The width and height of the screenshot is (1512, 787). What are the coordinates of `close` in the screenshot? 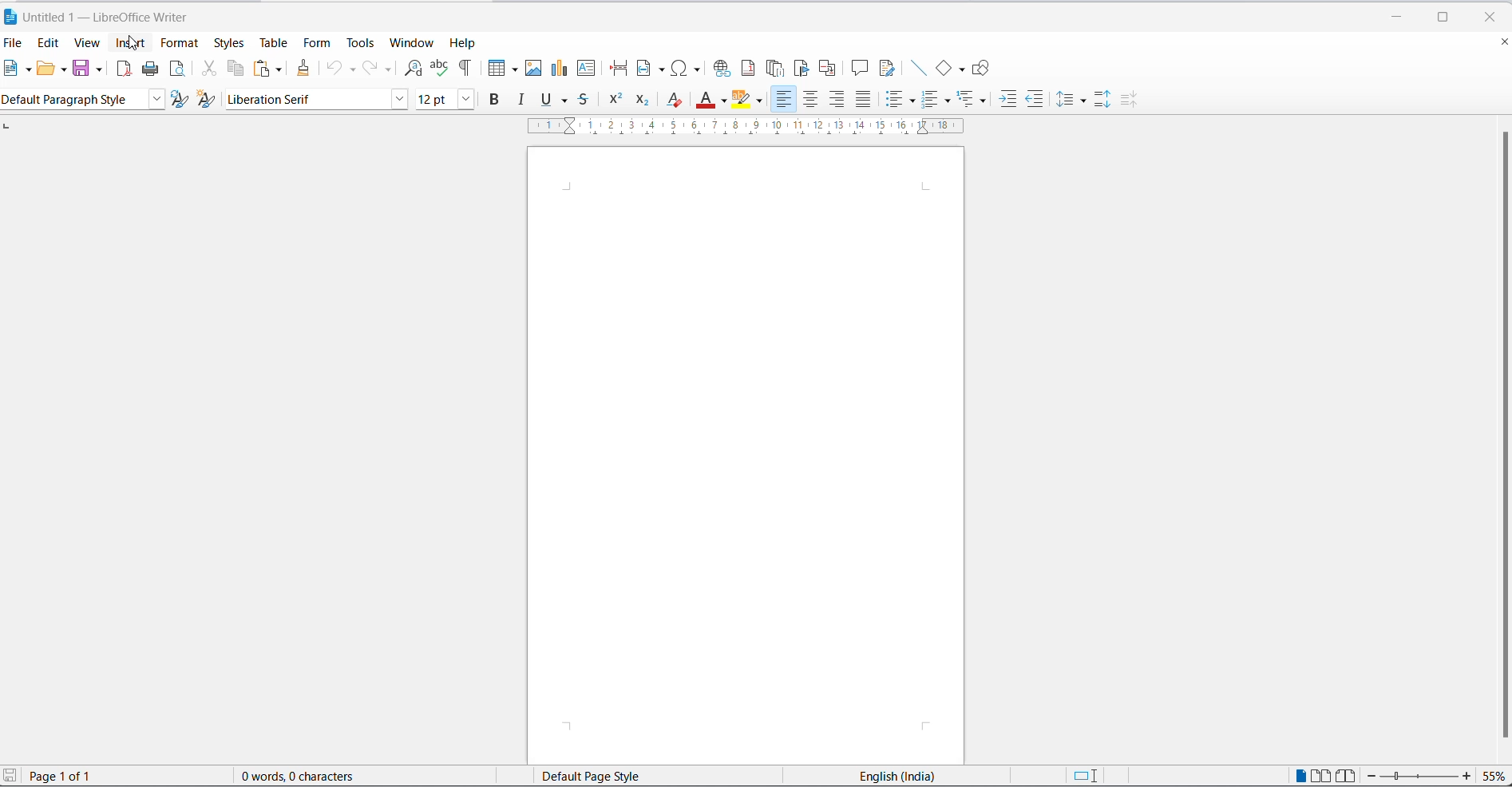 It's located at (1495, 15).